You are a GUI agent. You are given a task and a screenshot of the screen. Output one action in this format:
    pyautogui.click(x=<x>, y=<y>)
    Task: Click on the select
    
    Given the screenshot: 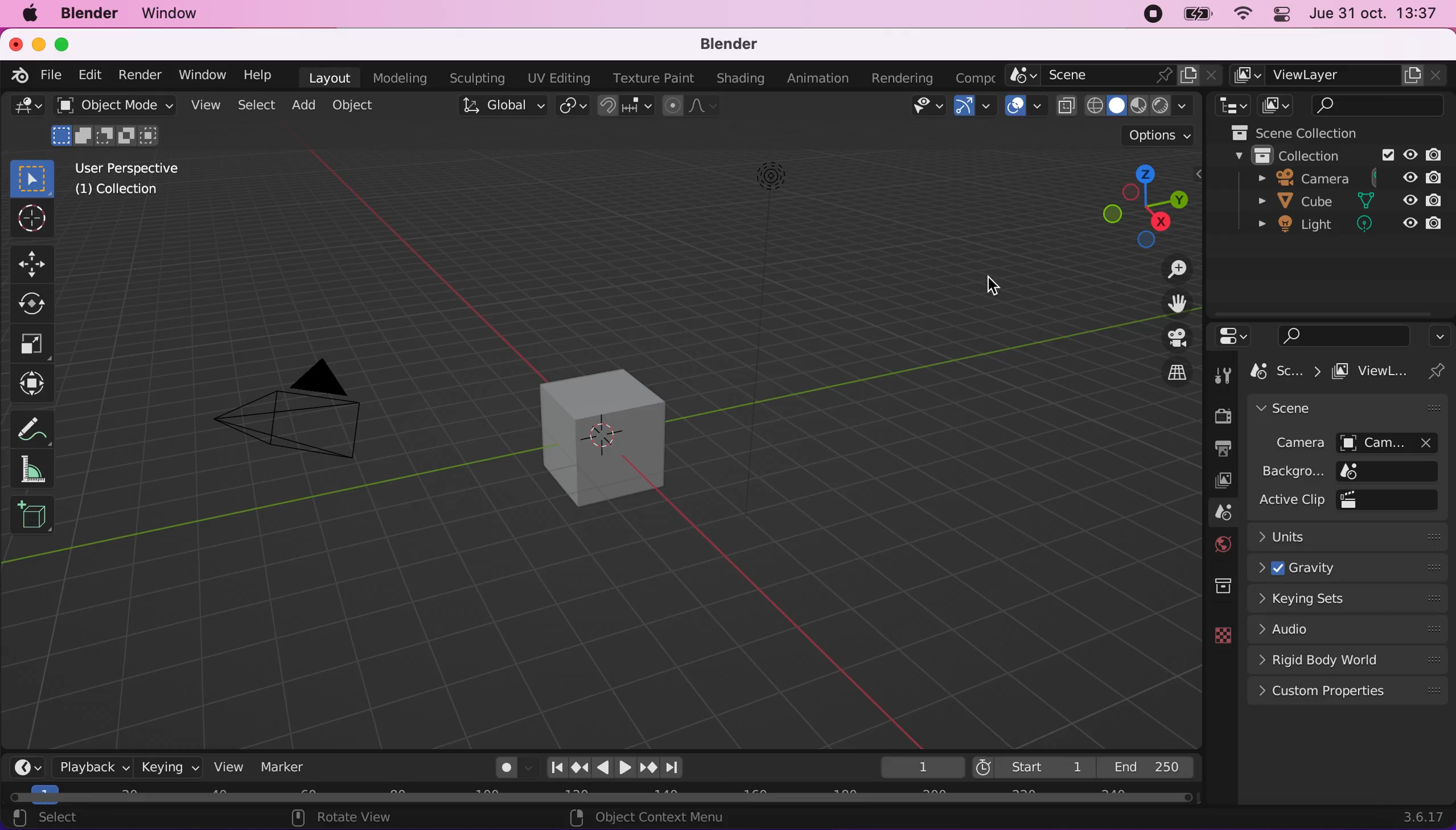 What is the action you would take?
    pyautogui.click(x=44, y=819)
    